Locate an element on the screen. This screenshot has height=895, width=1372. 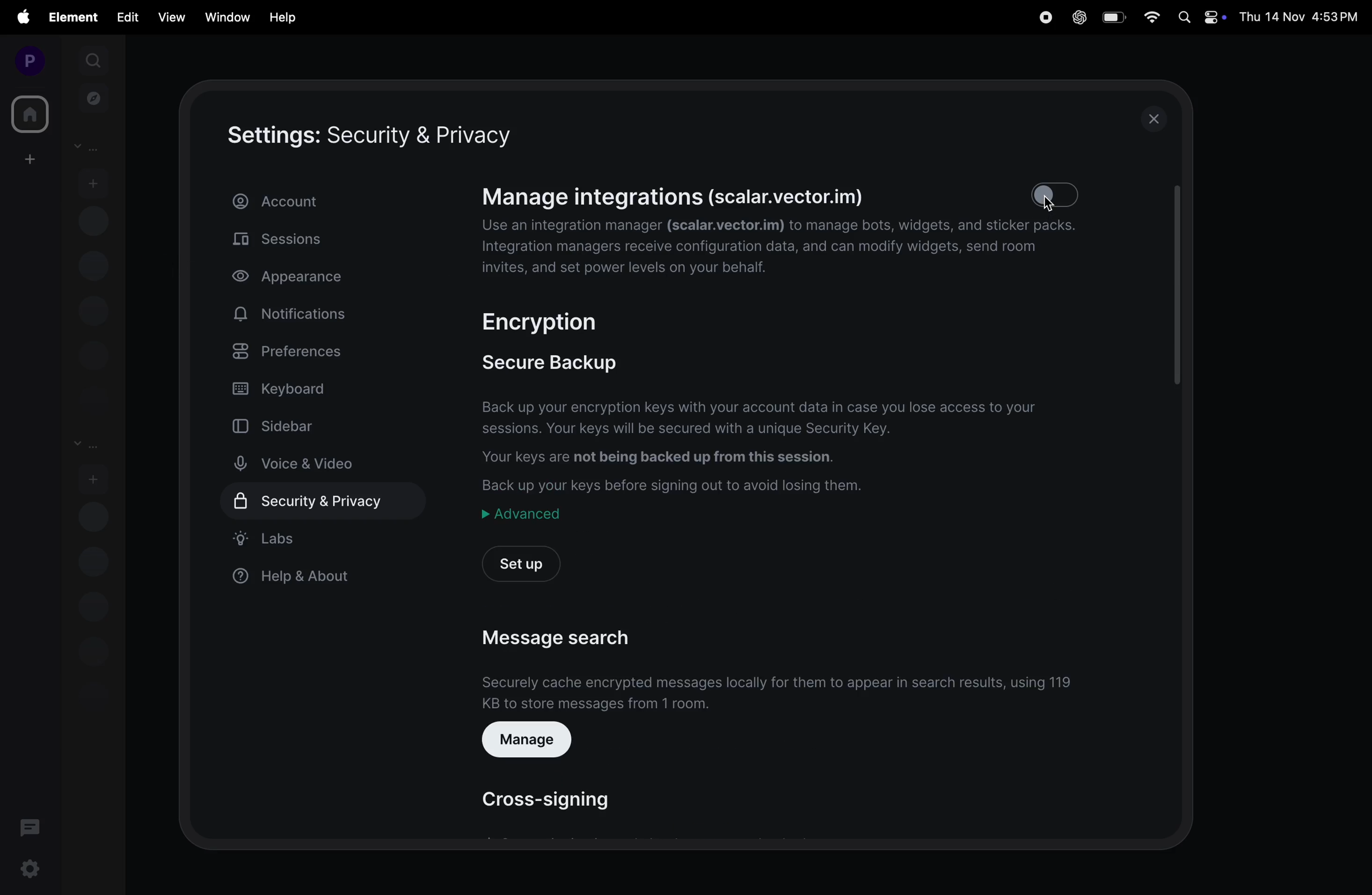
settings is located at coordinates (30, 869).